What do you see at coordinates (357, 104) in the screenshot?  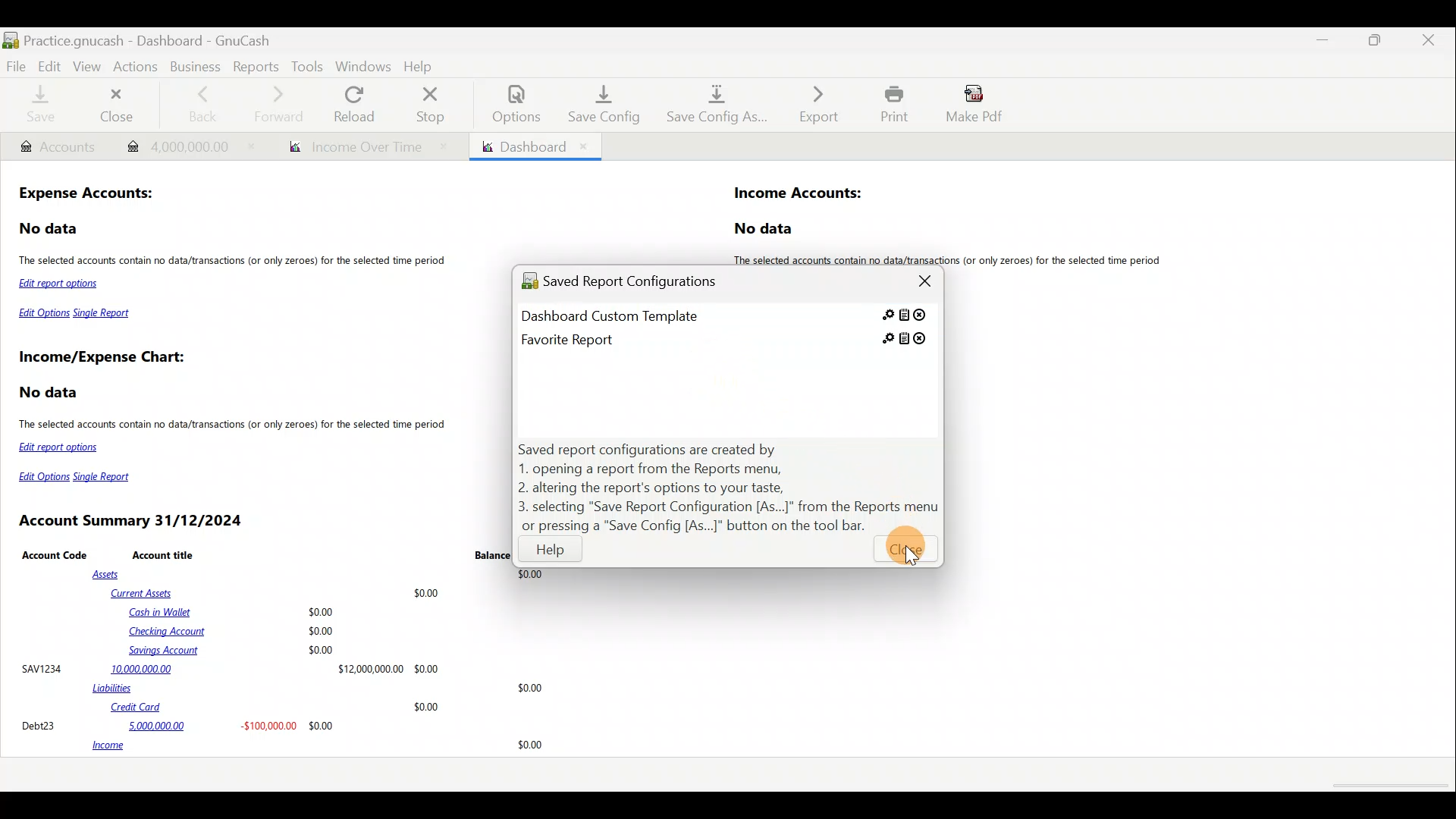 I see `Reload` at bounding box center [357, 104].